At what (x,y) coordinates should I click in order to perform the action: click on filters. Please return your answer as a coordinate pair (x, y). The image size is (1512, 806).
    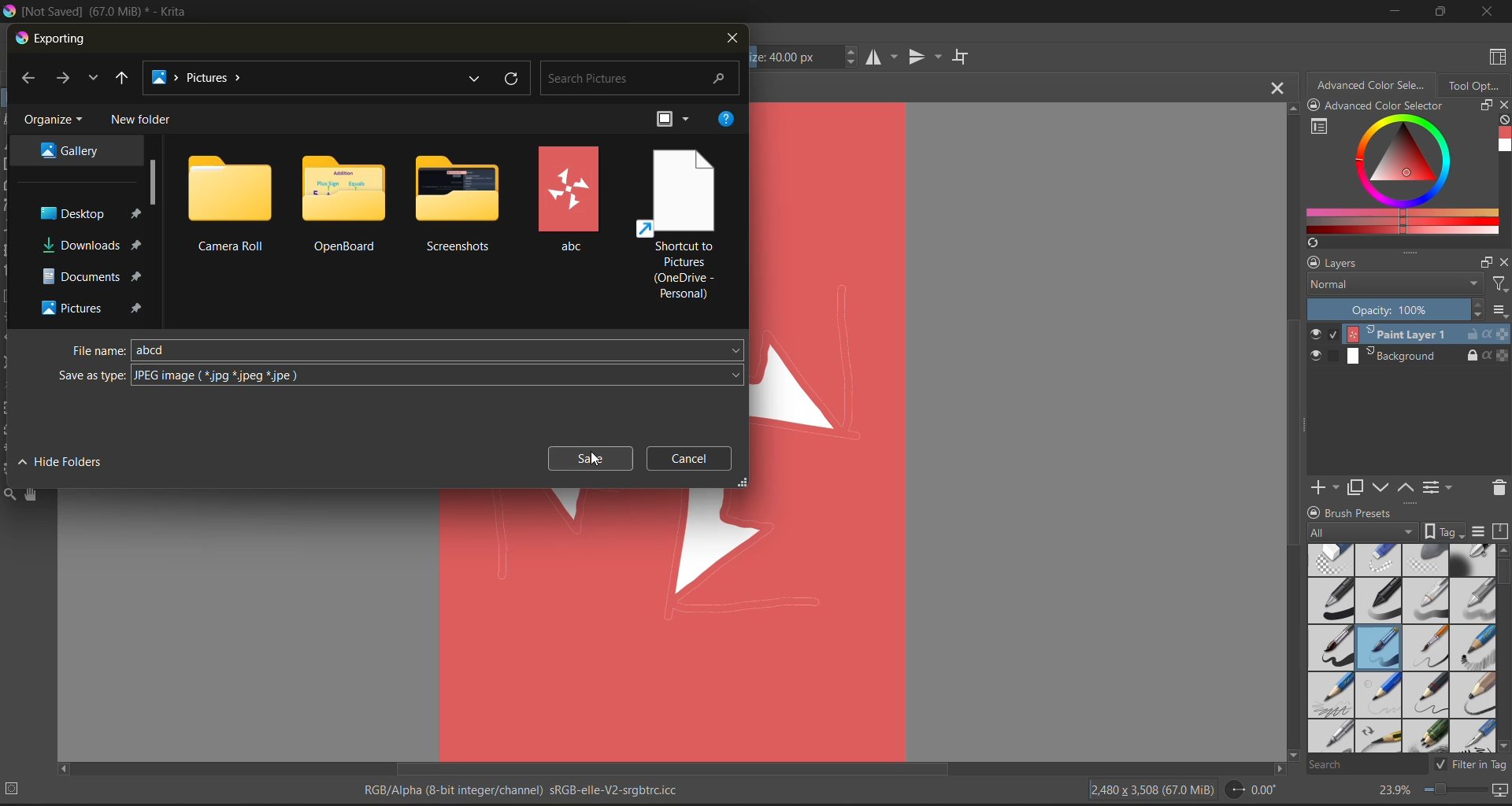
    Looking at the image, I should click on (1499, 287).